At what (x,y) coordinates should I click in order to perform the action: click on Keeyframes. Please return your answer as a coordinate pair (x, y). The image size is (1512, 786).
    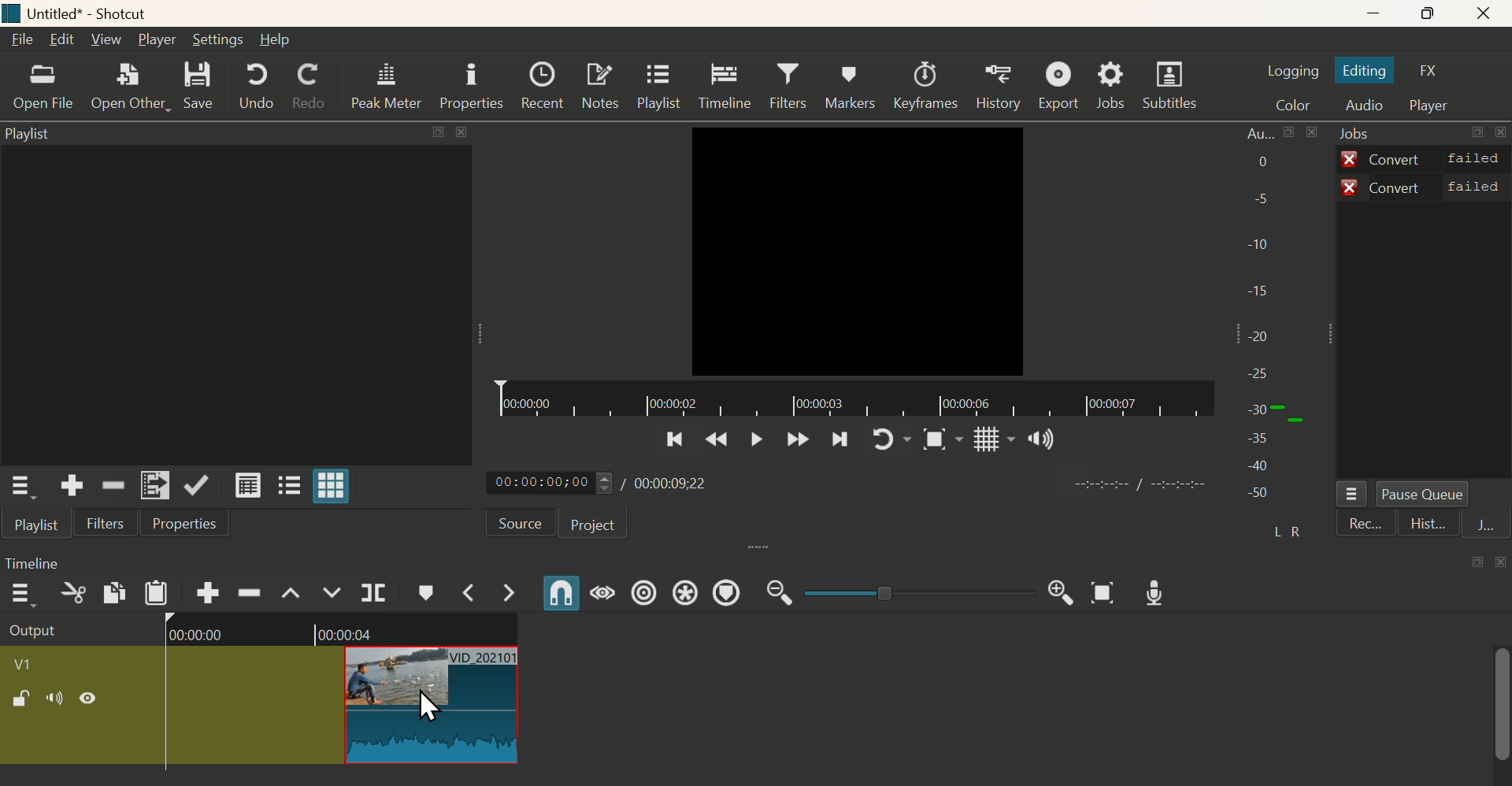
    Looking at the image, I should click on (928, 87).